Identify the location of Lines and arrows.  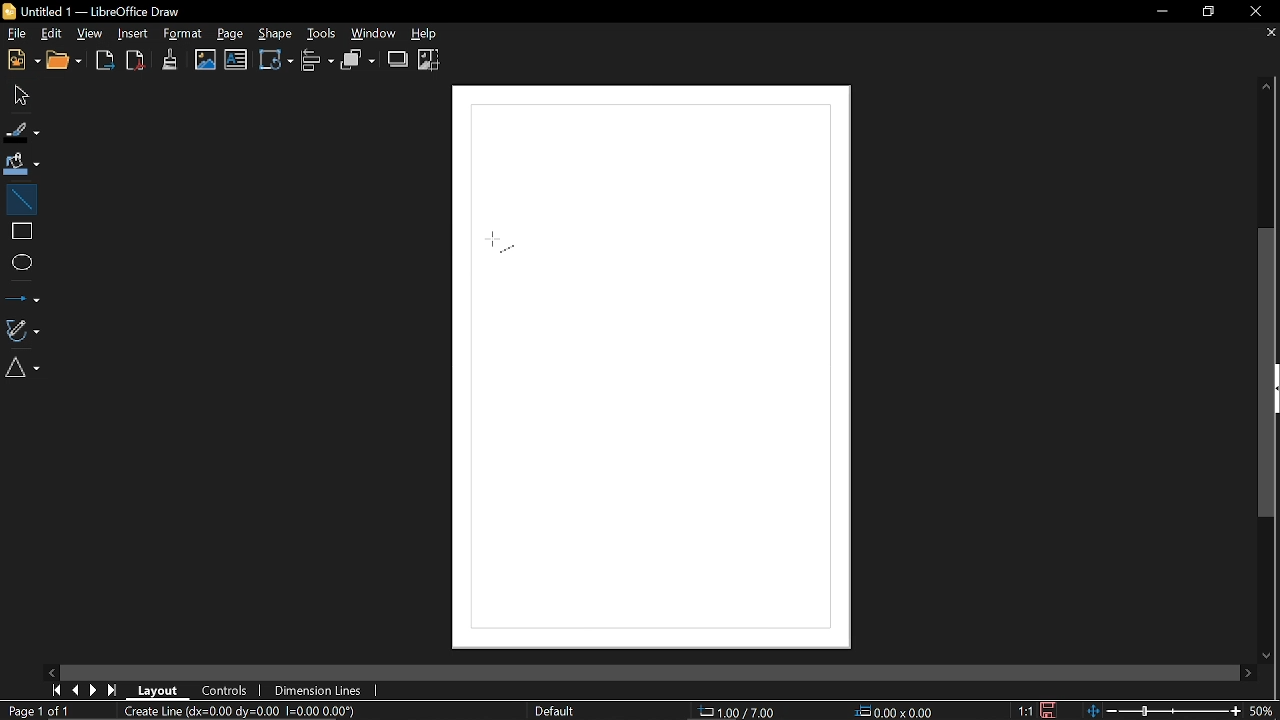
(22, 295).